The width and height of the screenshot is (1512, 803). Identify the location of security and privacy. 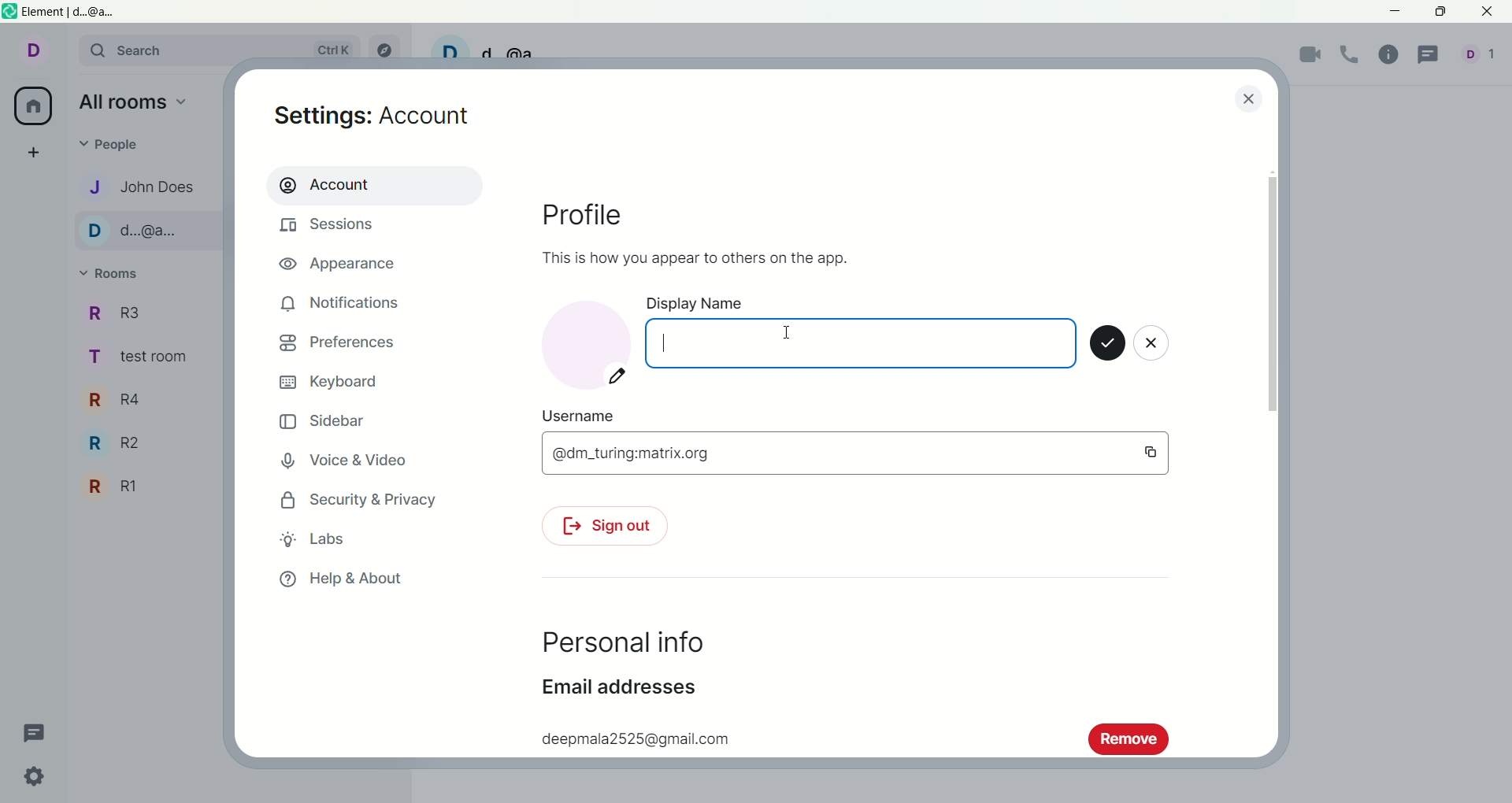
(354, 501).